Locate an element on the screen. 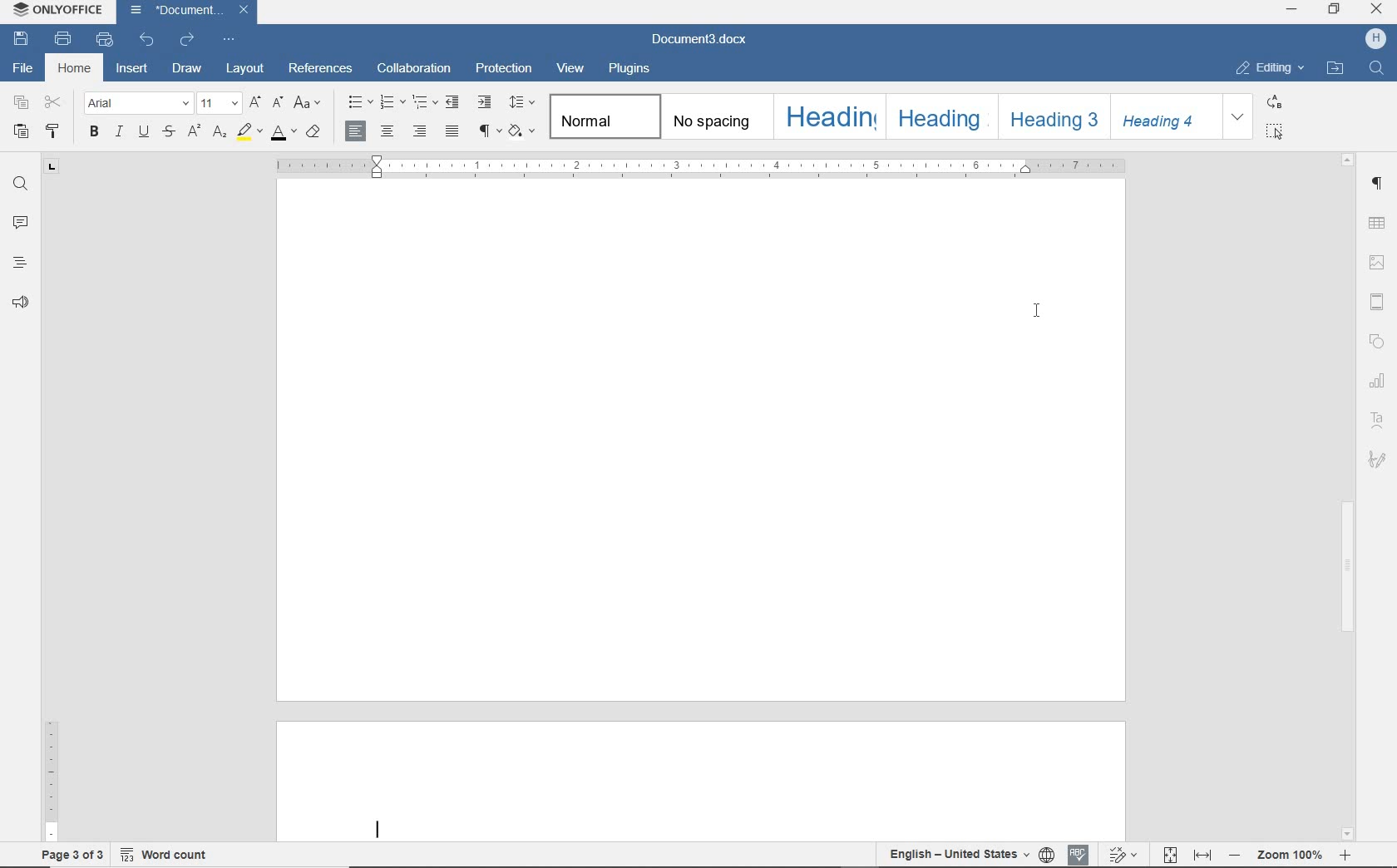 The image size is (1397, 868). FONT  is located at coordinates (138, 102).